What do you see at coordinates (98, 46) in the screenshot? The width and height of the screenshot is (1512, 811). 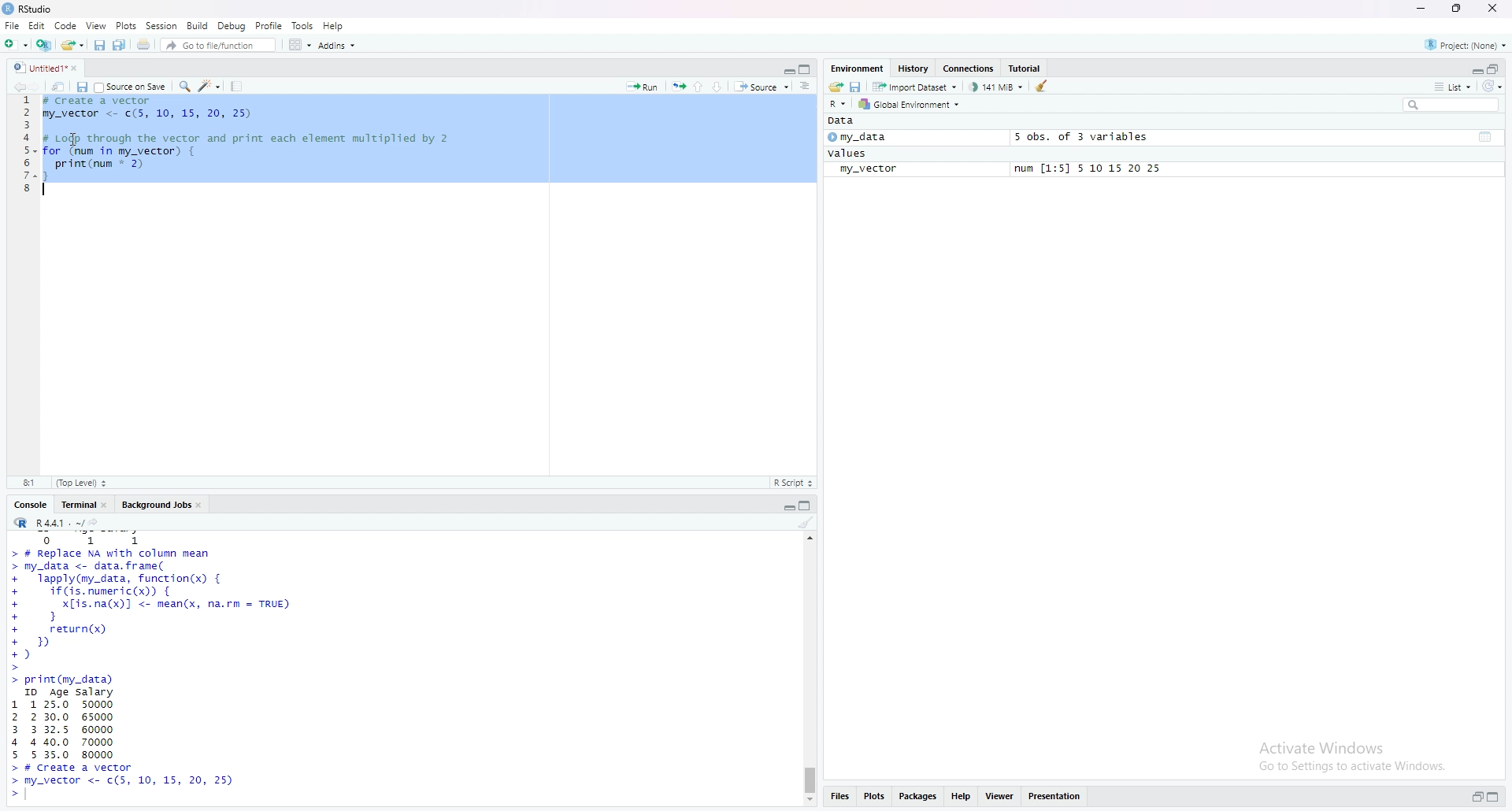 I see `save current document` at bounding box center [98, 46].